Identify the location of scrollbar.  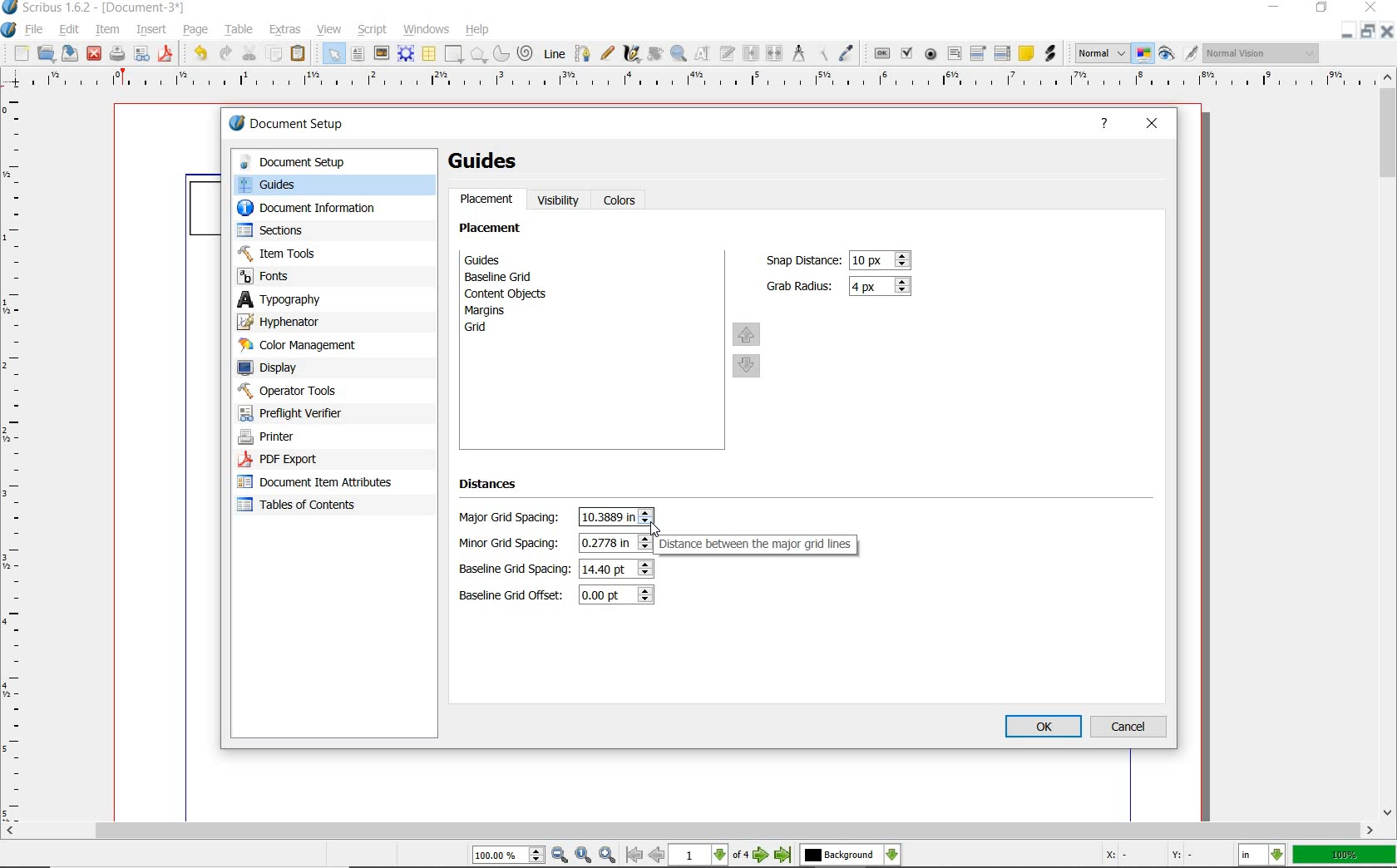
(1389, 444).